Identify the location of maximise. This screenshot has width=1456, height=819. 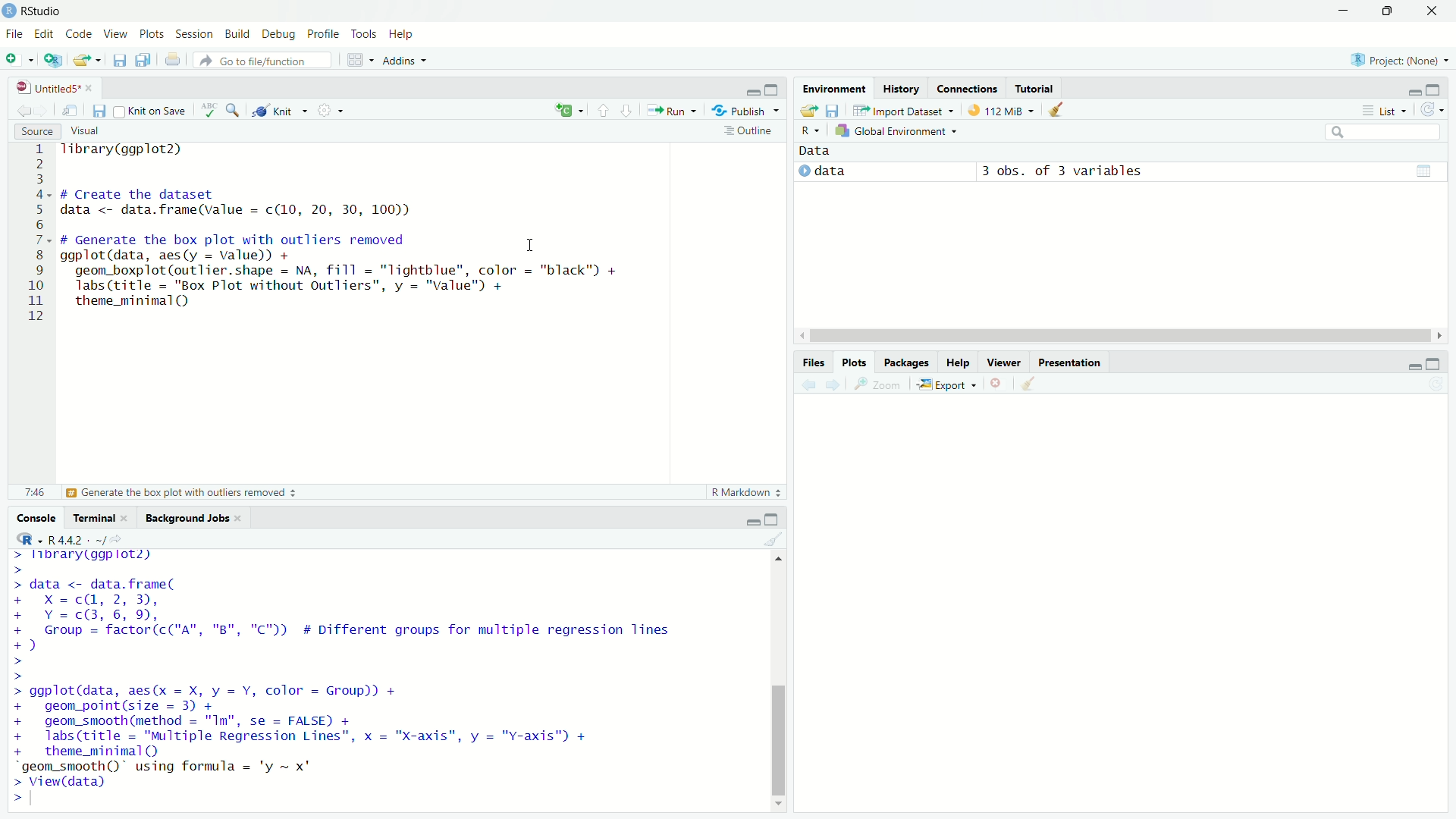
(774, 89).